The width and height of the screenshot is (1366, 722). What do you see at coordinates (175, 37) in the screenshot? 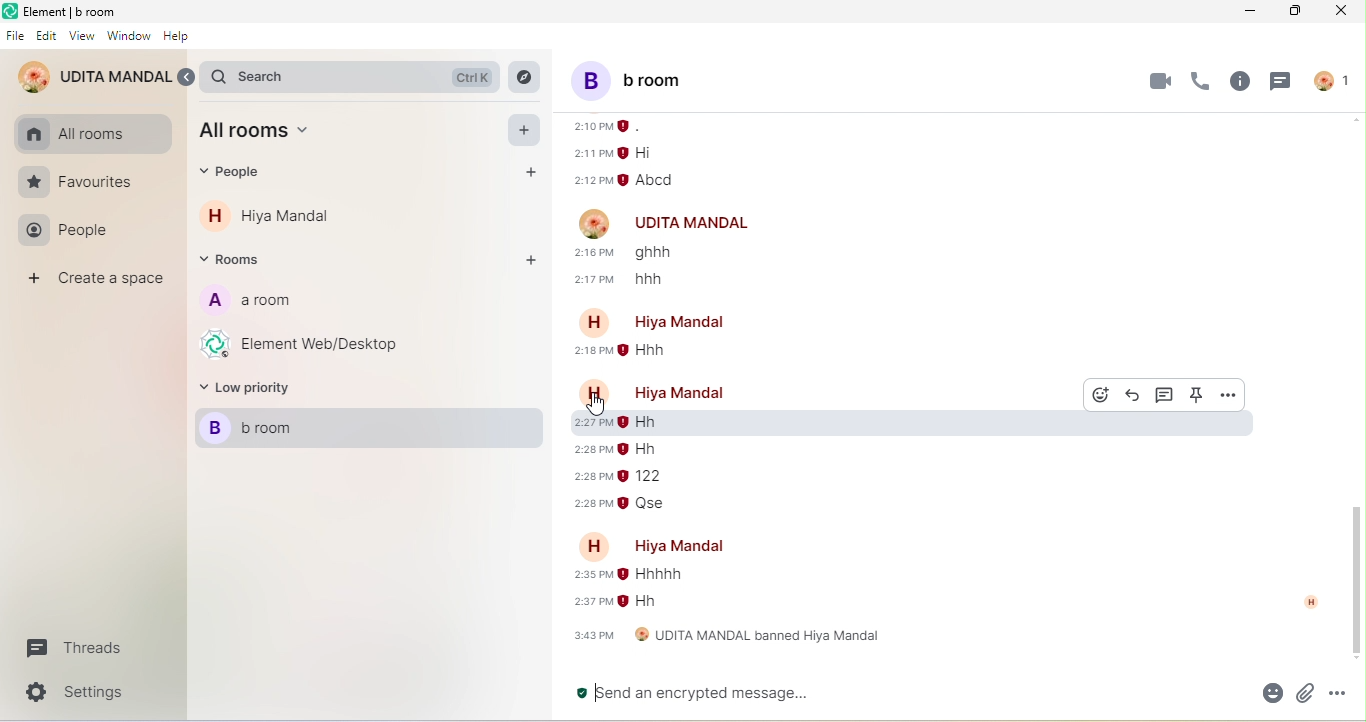
I see `help` at bounding box center [175, 37].